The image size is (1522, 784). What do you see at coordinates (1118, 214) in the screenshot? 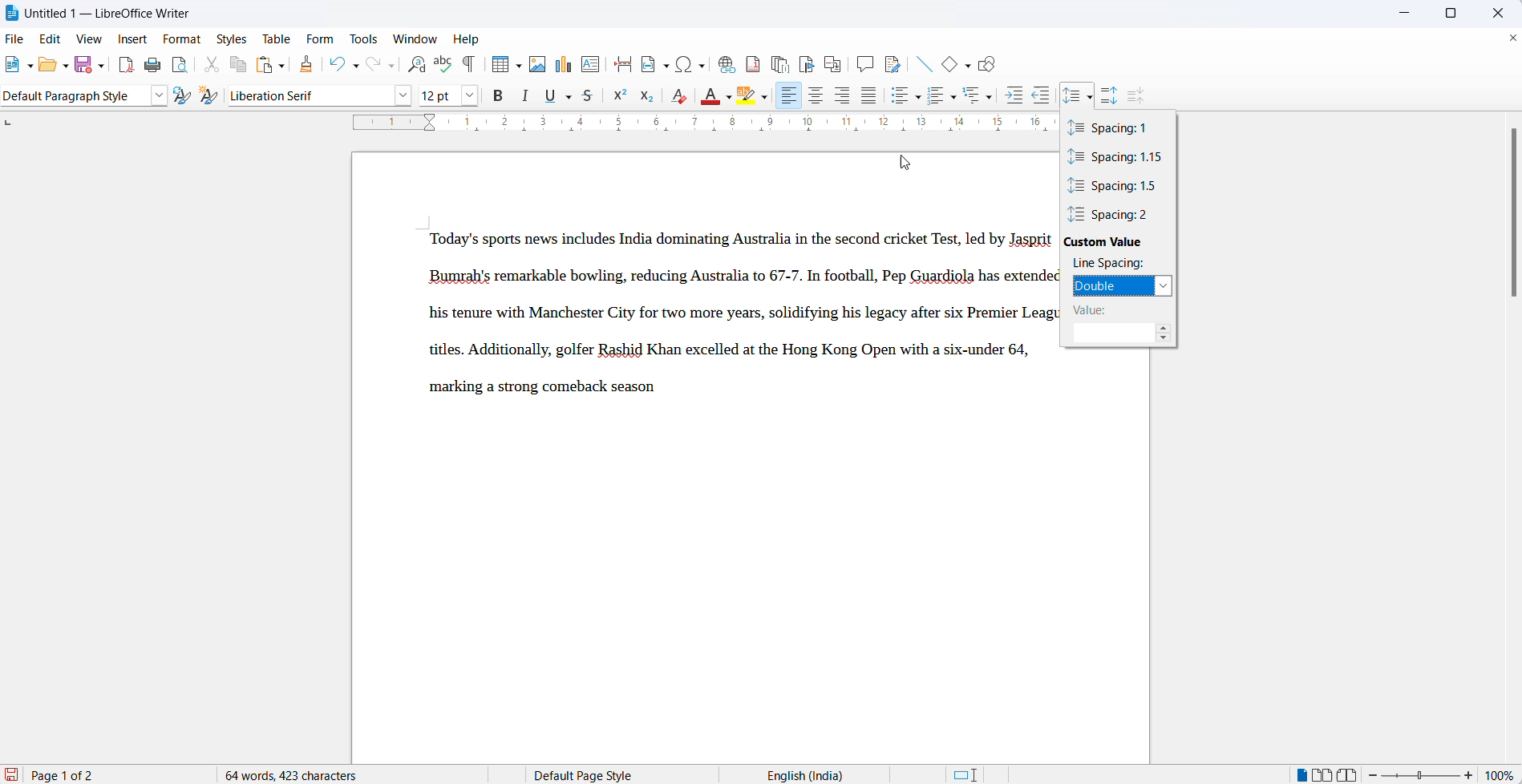
I see `spacing value 2` at bounding box center [1118, 214].